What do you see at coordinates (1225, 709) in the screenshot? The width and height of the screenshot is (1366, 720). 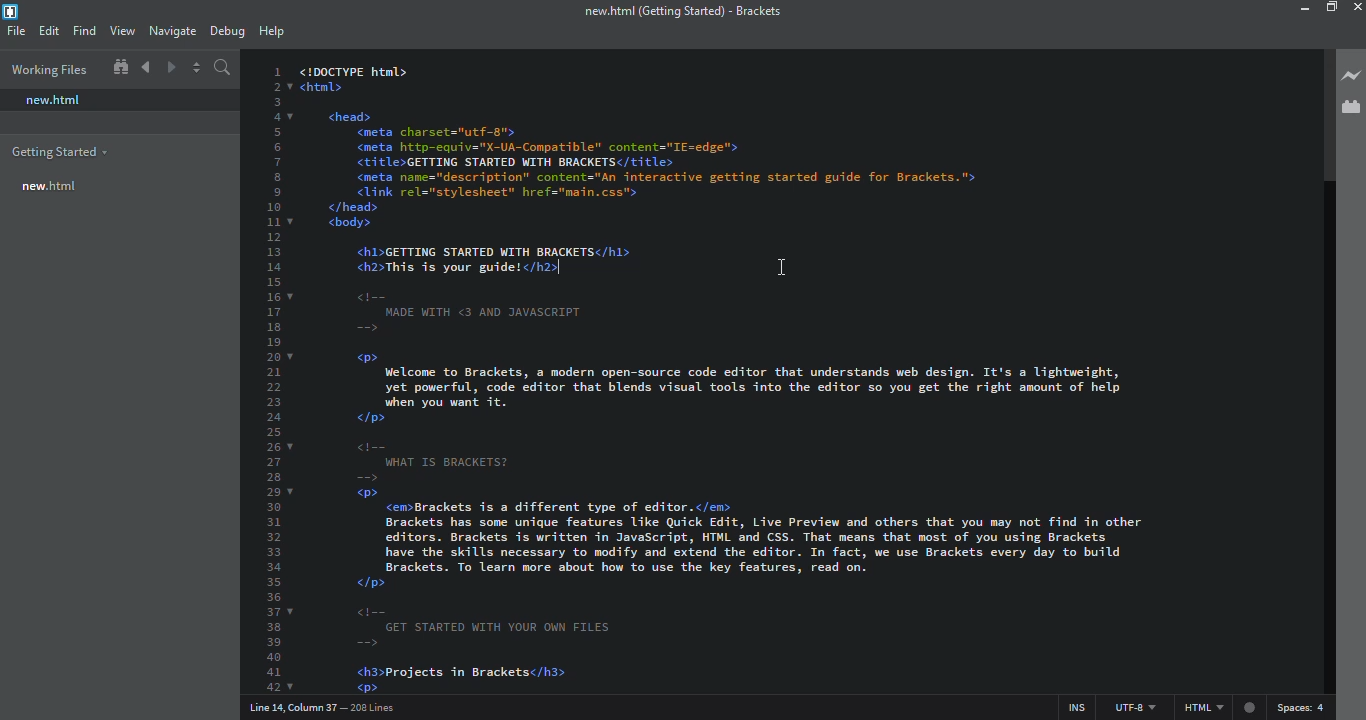 I see `html` at bounding box center [1225, 709].